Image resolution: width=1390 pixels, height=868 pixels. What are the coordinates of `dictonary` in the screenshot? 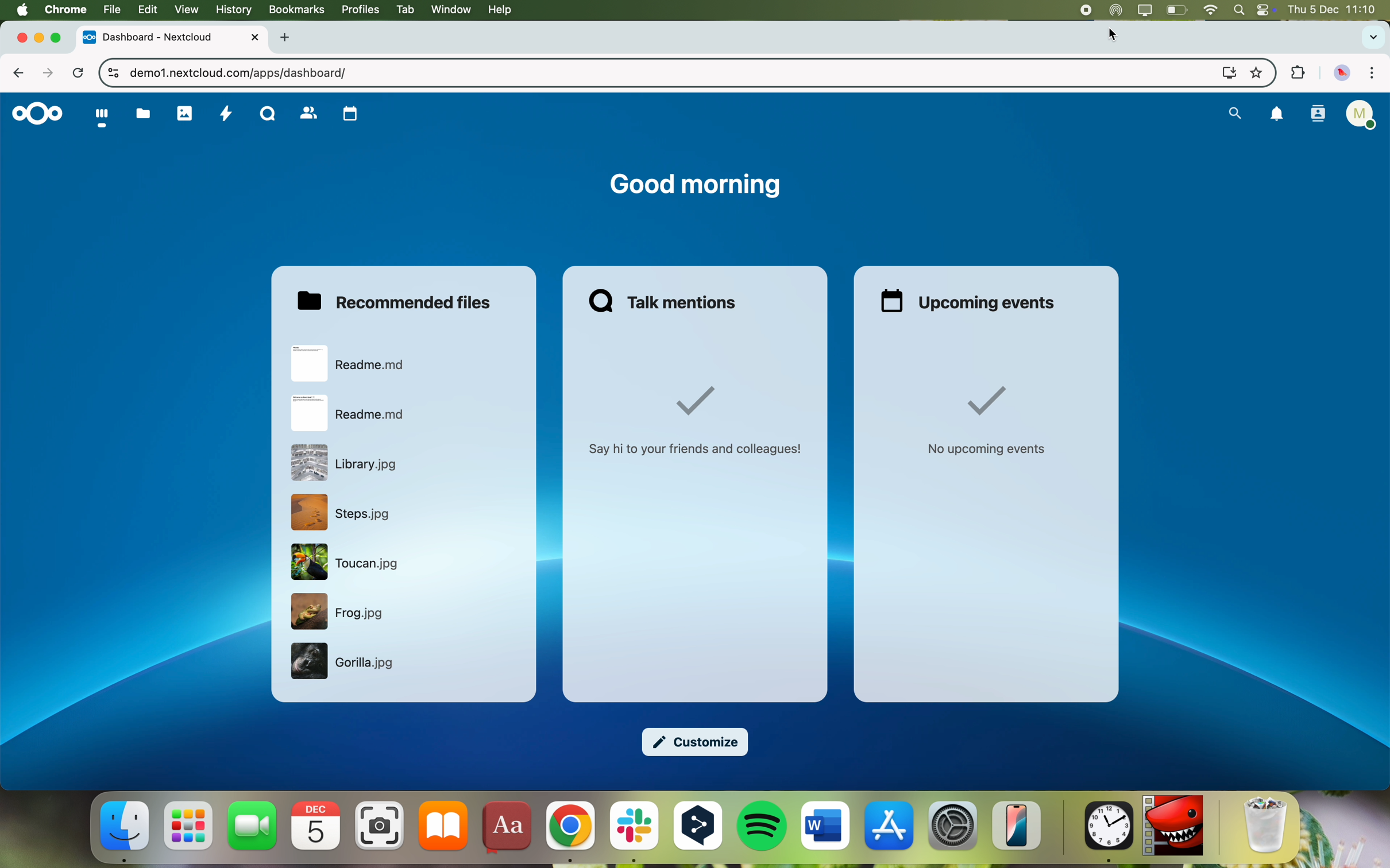 It's located at (505, 829).